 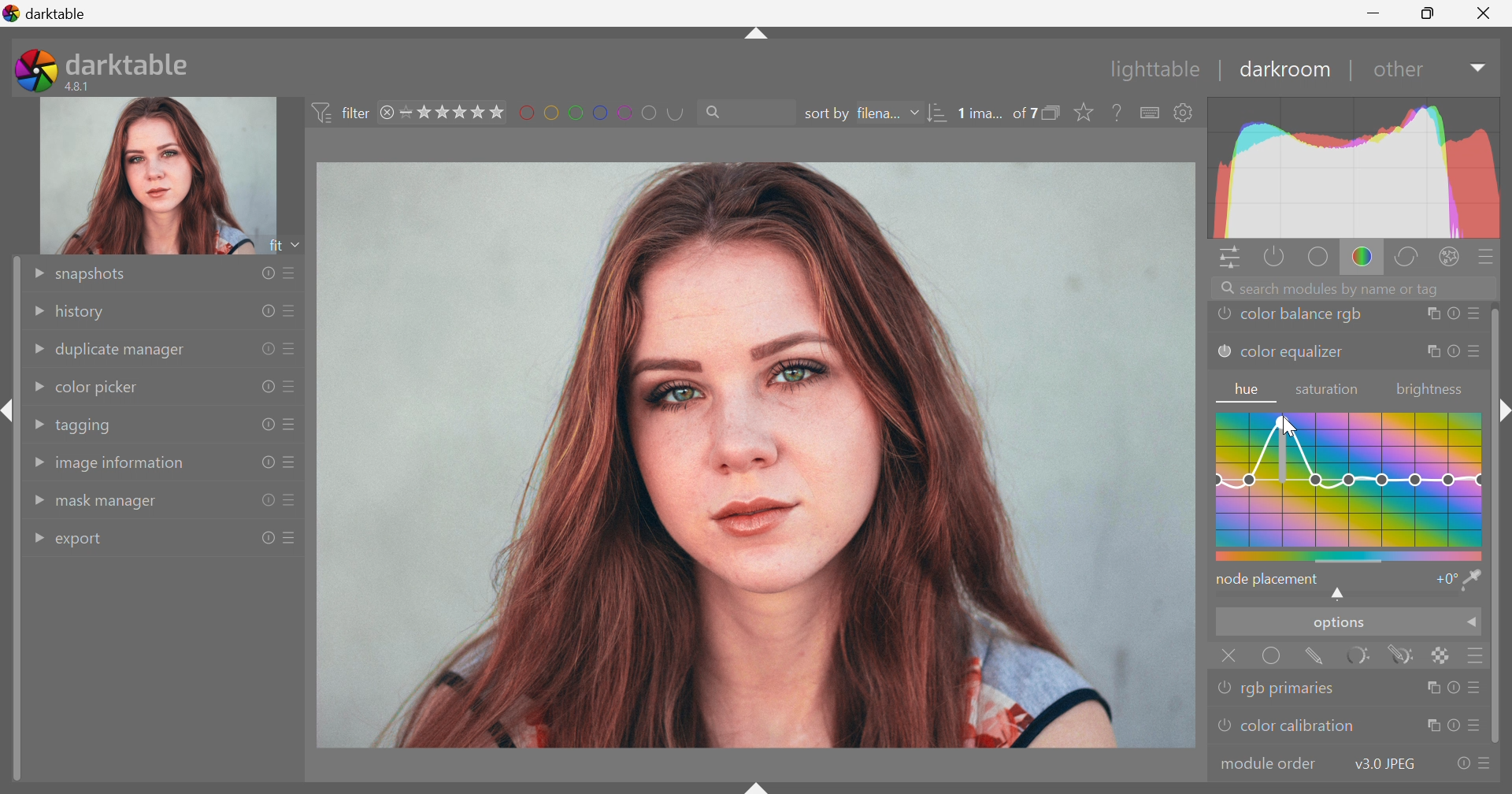 What do you see at coordinates (1412, 258) in the screenshot?
I see `correct` at bounding box center [1412, 258].